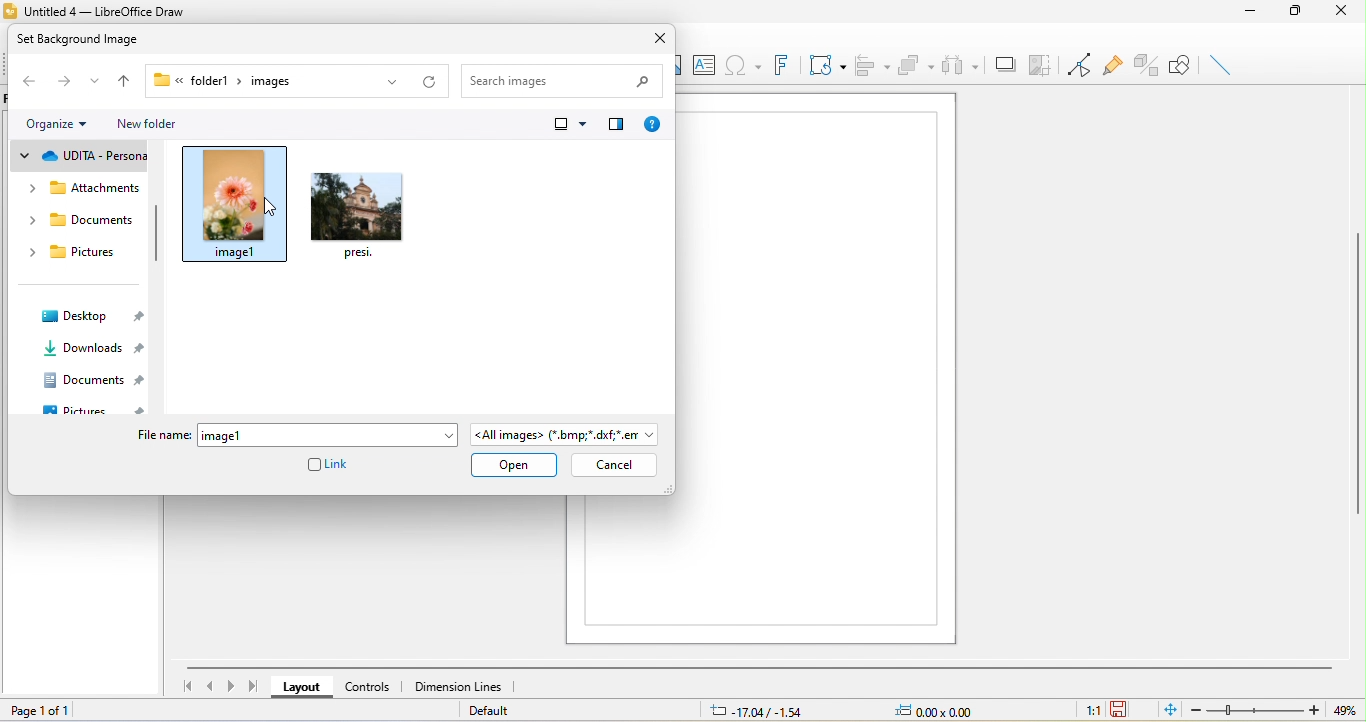  Describe the element at coordinates (228, 688) in the screenshot. I see `next page` at that location.